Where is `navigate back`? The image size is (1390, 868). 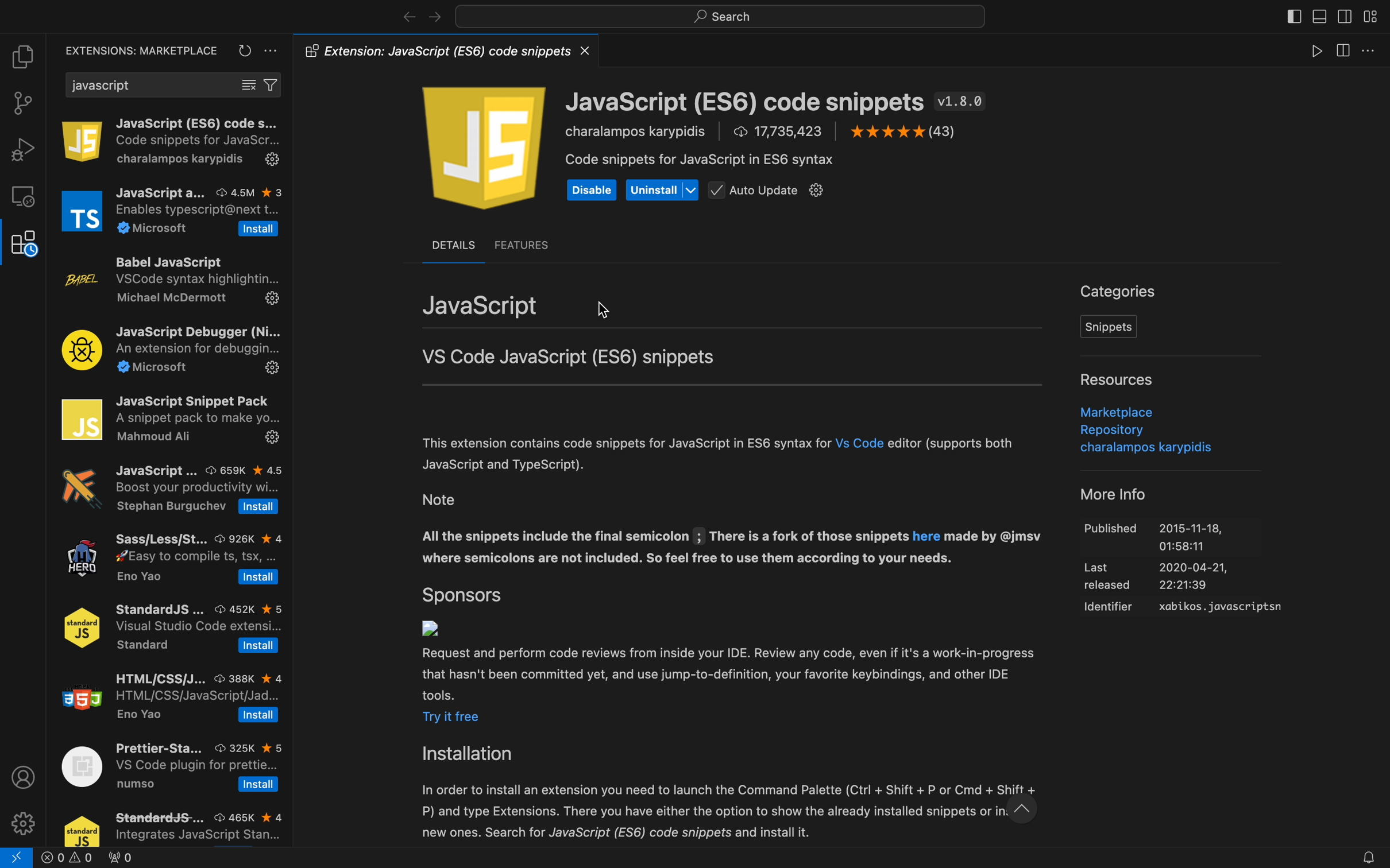 navigate back is located at coordinates (407, 17).